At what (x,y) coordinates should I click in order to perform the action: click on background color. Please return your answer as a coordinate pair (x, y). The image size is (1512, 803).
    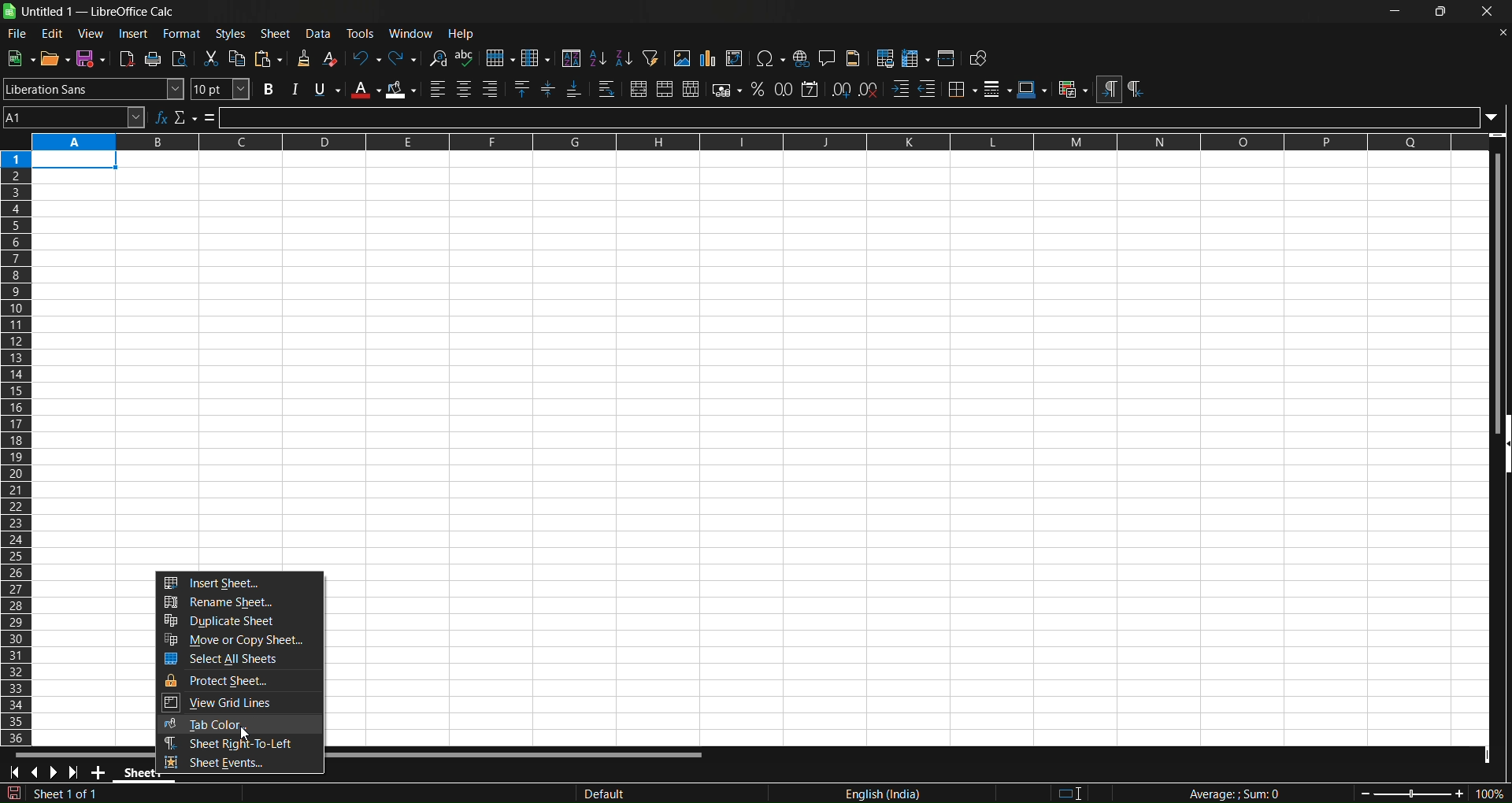
    Looking at the image, I should click on (402, 90).